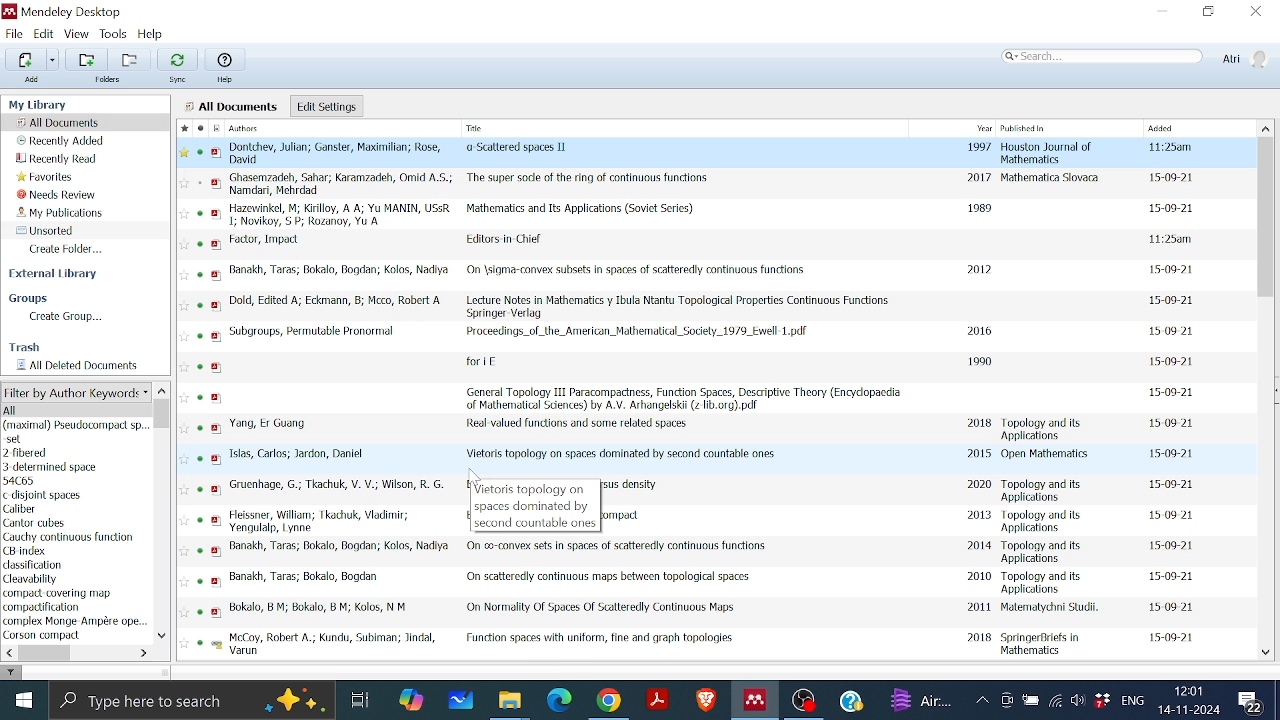 The width and height of the screenshot is (1280, 720). What do you see at coordinates (182, 644) in the screenshot?
I see `Favourite` at bounding box center [182, 644].